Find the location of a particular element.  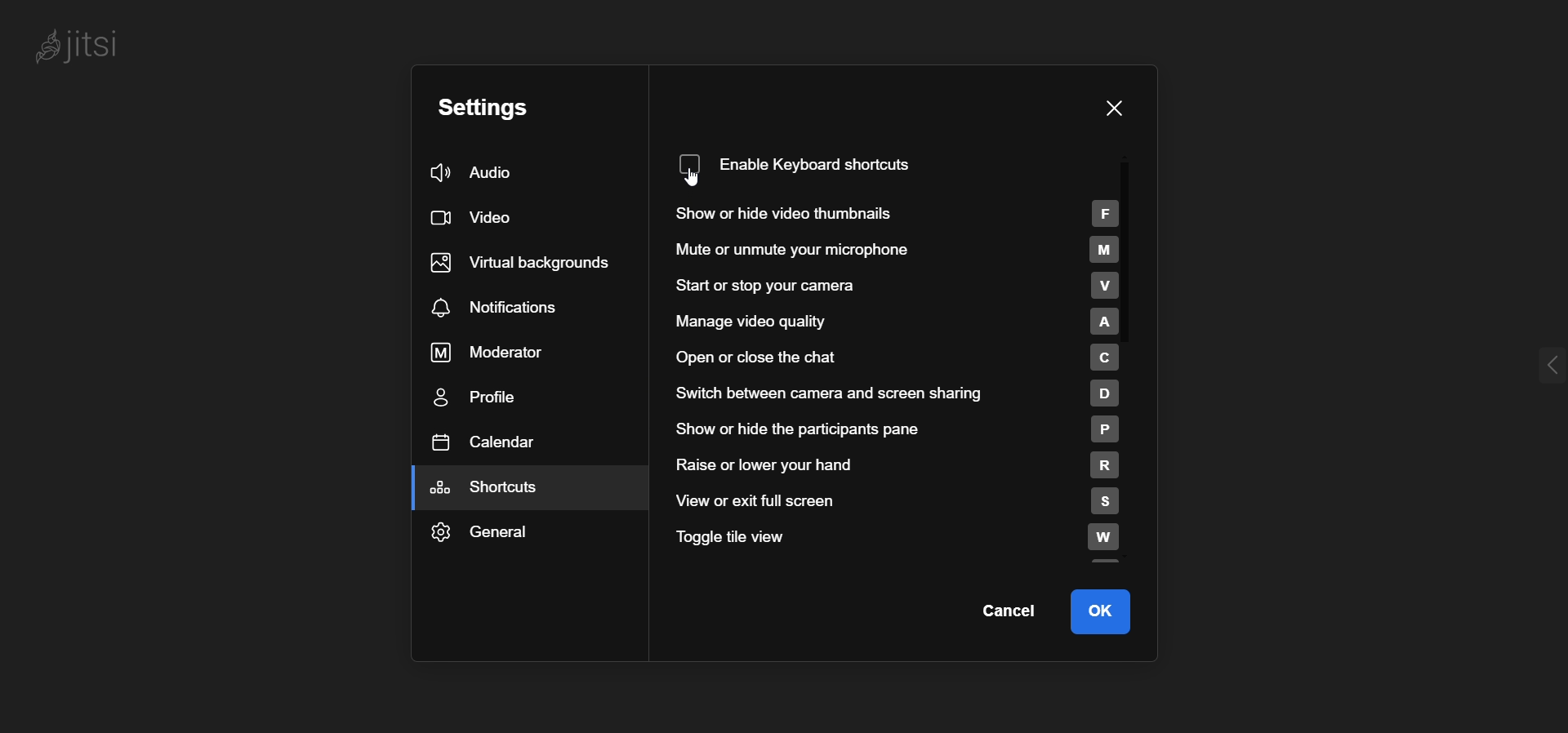

close is located at coordinates (1118, 109).